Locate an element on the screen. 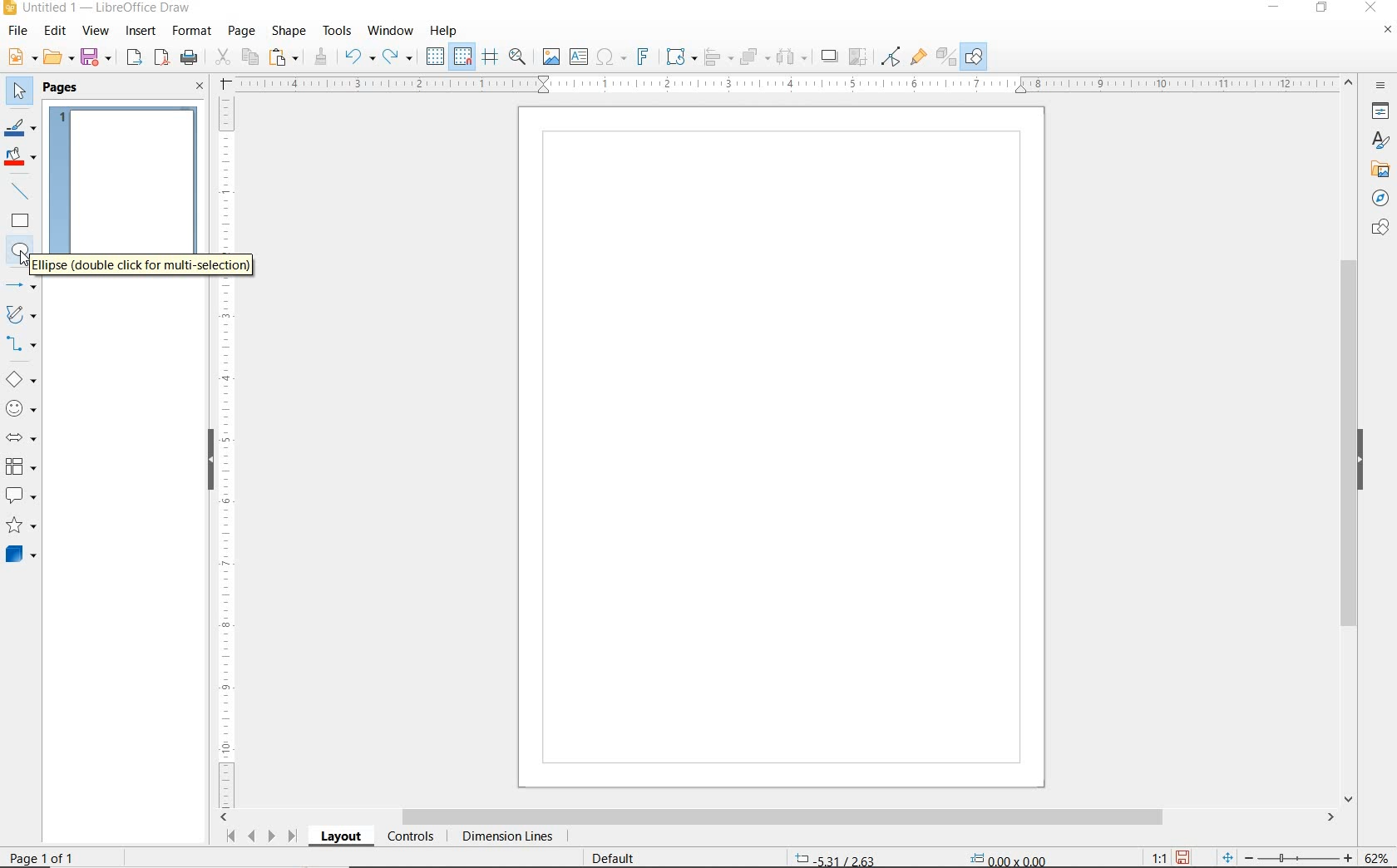  INSERT SPECIAL CHARACTERS is located at coordinates (609, 58).